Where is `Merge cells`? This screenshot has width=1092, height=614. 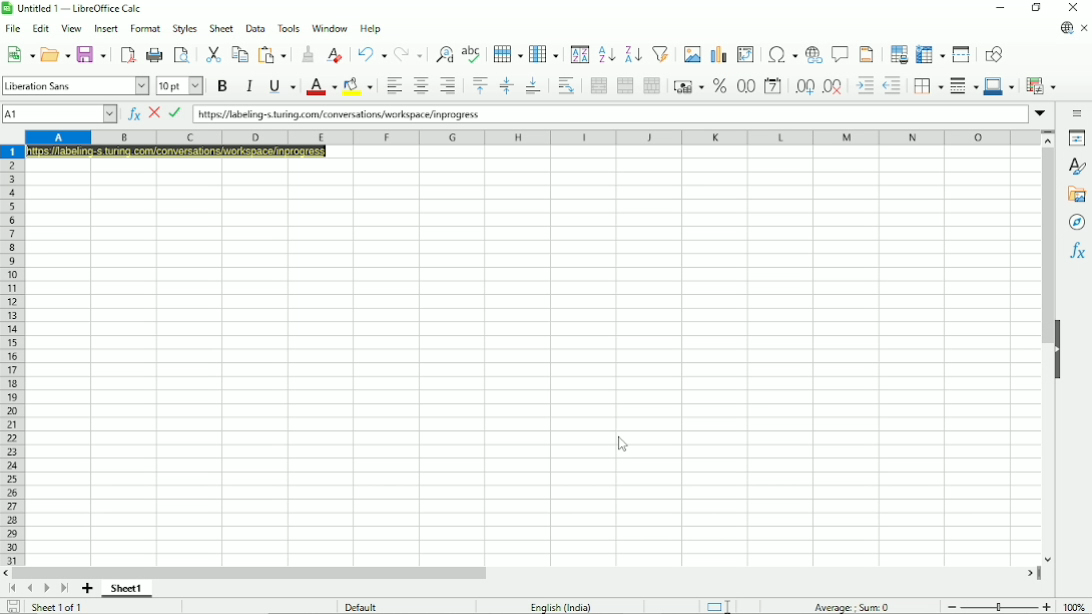
Merge cells is located at coordinates (626, 86).